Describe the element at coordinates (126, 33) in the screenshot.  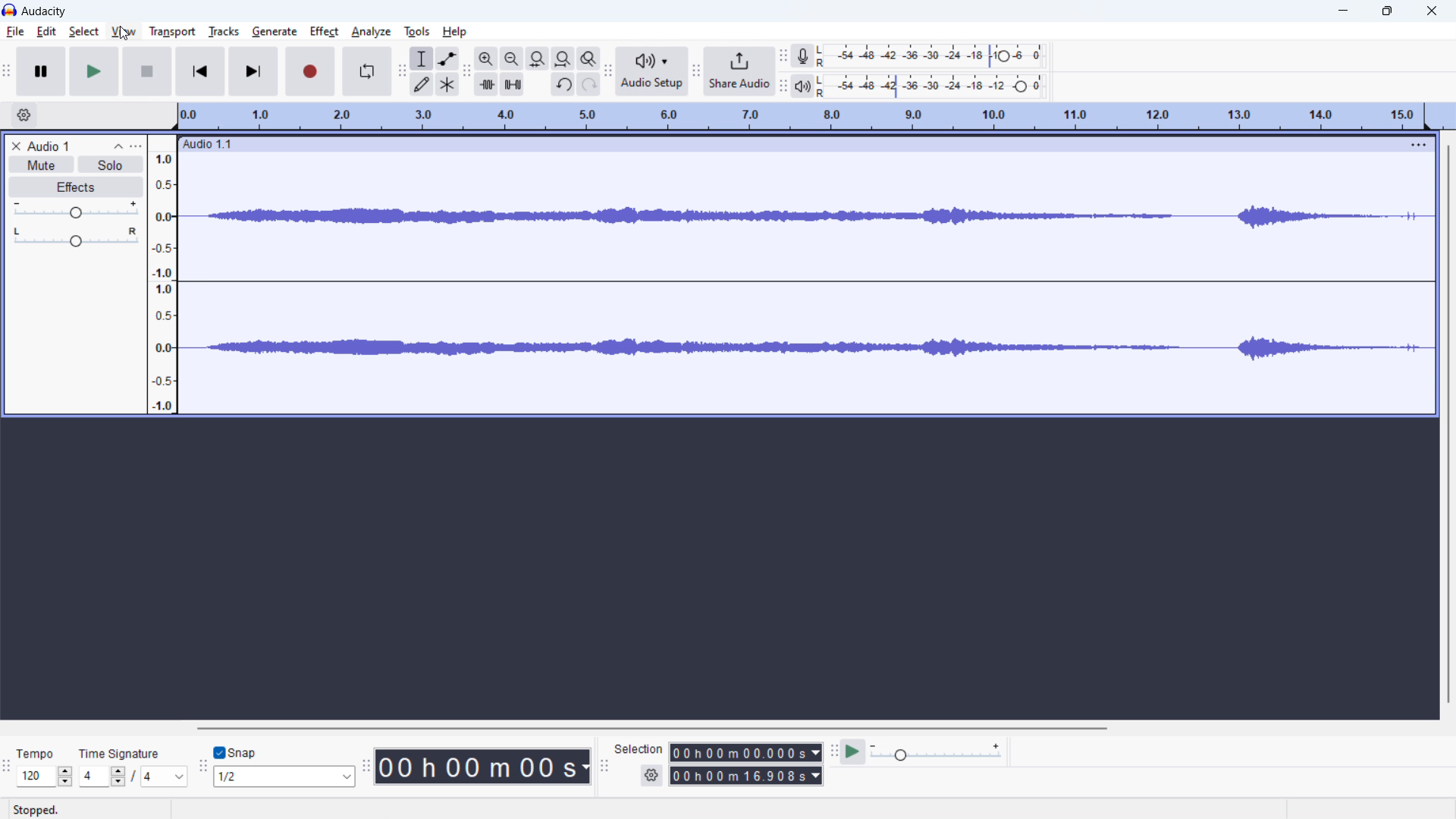
I see `cursor` at that location.